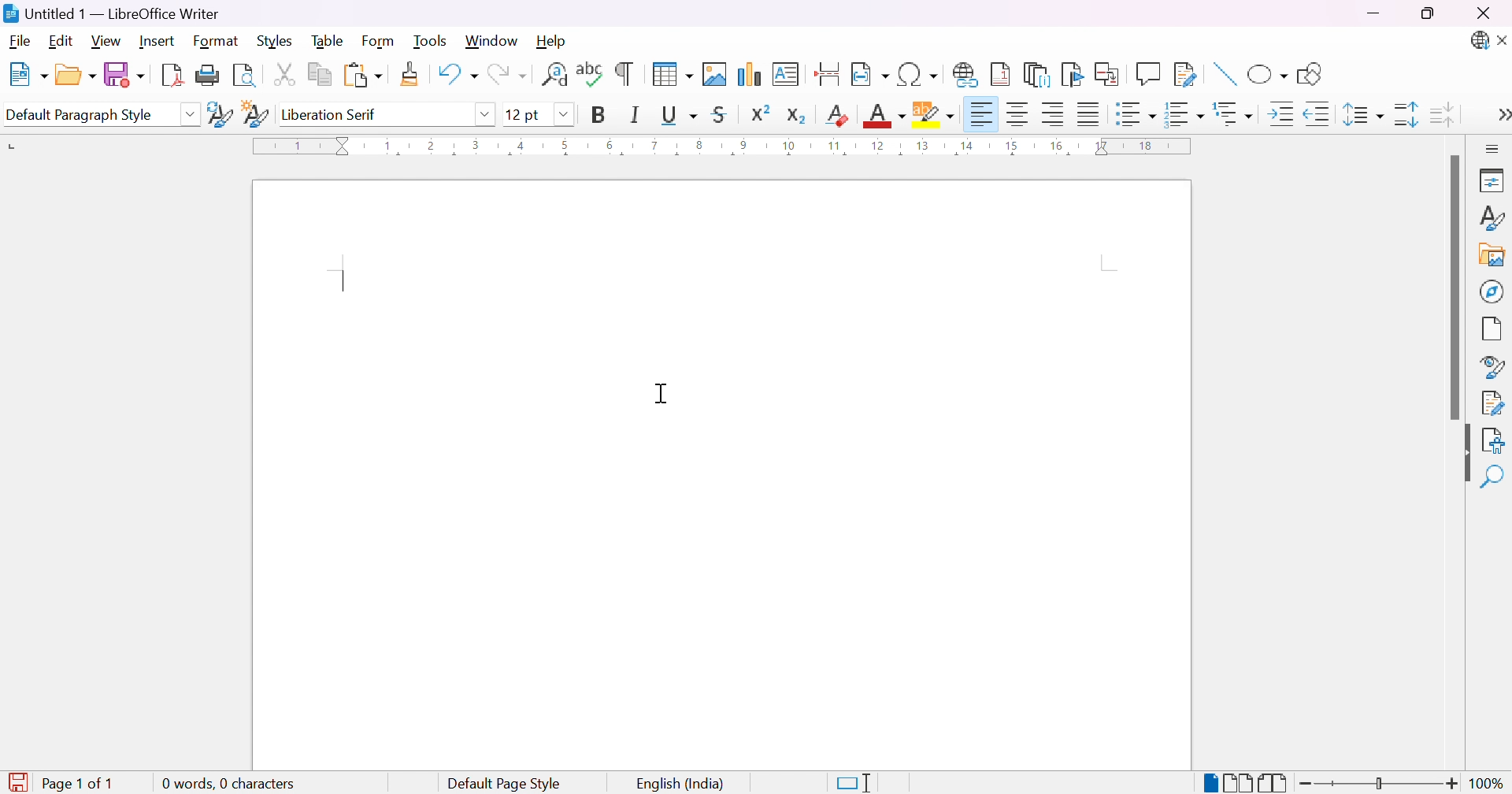  Describe the element at coordinates (343, 278) in the screenshot. I see `Typing cursor` at that location.